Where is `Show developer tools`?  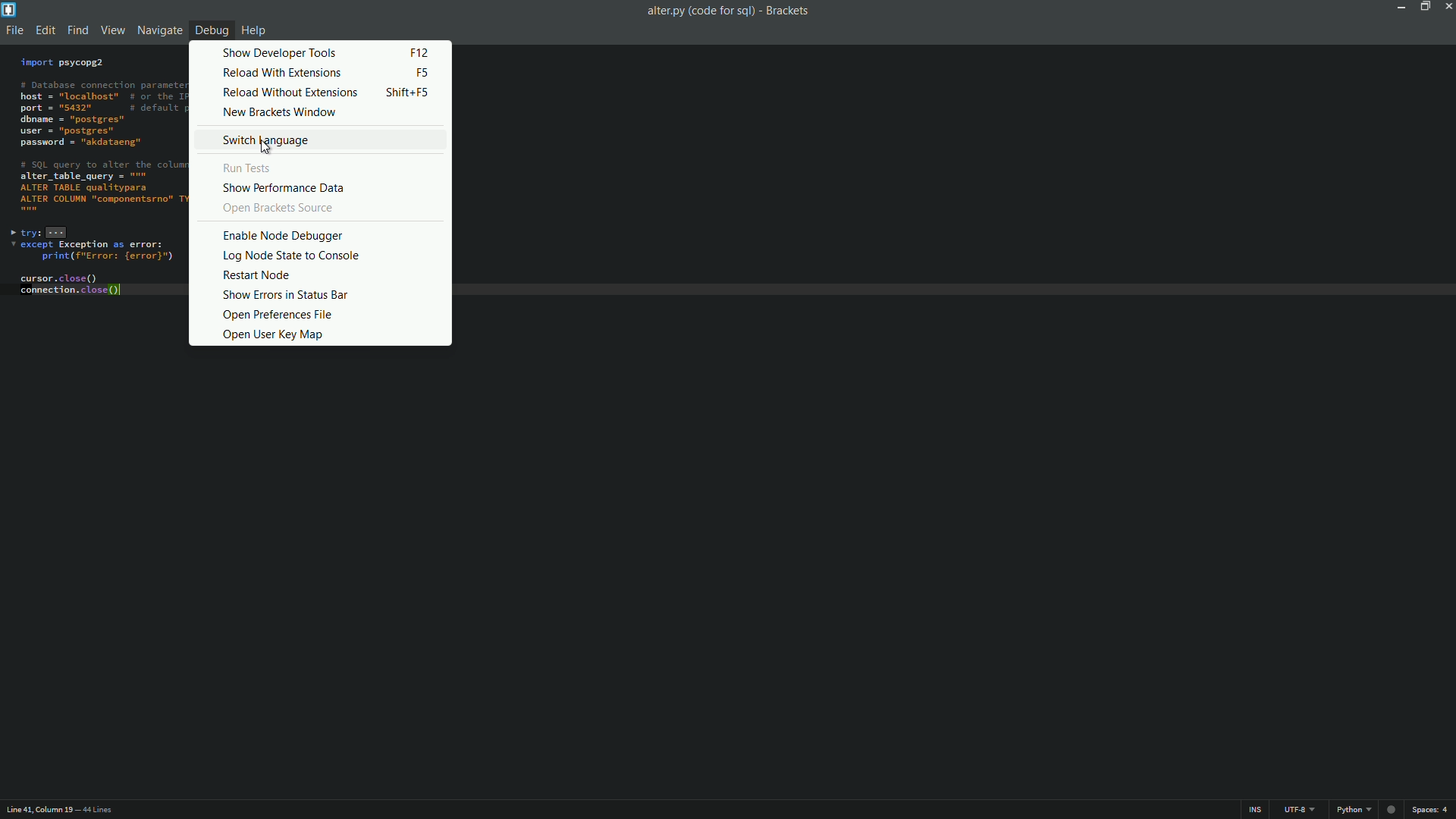
Show developer tools is located at coordinates (282, 53).